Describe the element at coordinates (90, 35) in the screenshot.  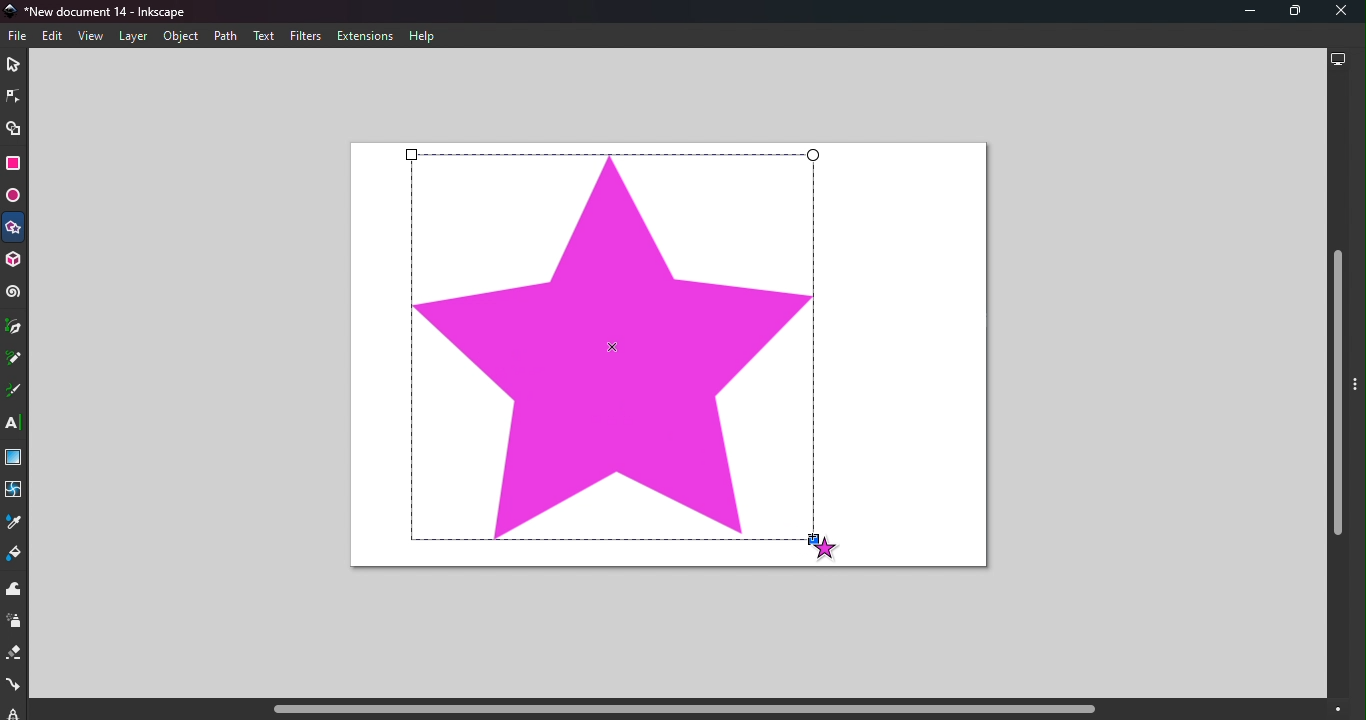
I see `View` at that location.